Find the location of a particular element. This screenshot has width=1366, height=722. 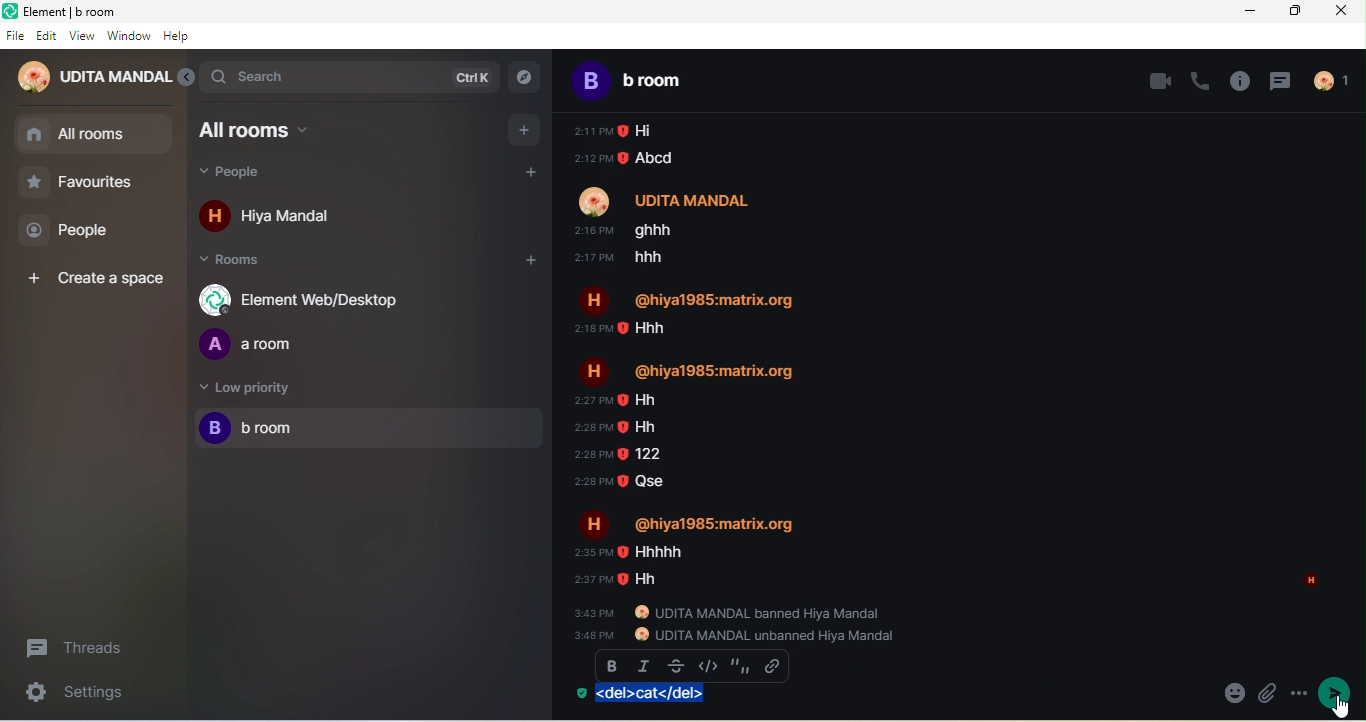

file is located at coordinates (14, 35).